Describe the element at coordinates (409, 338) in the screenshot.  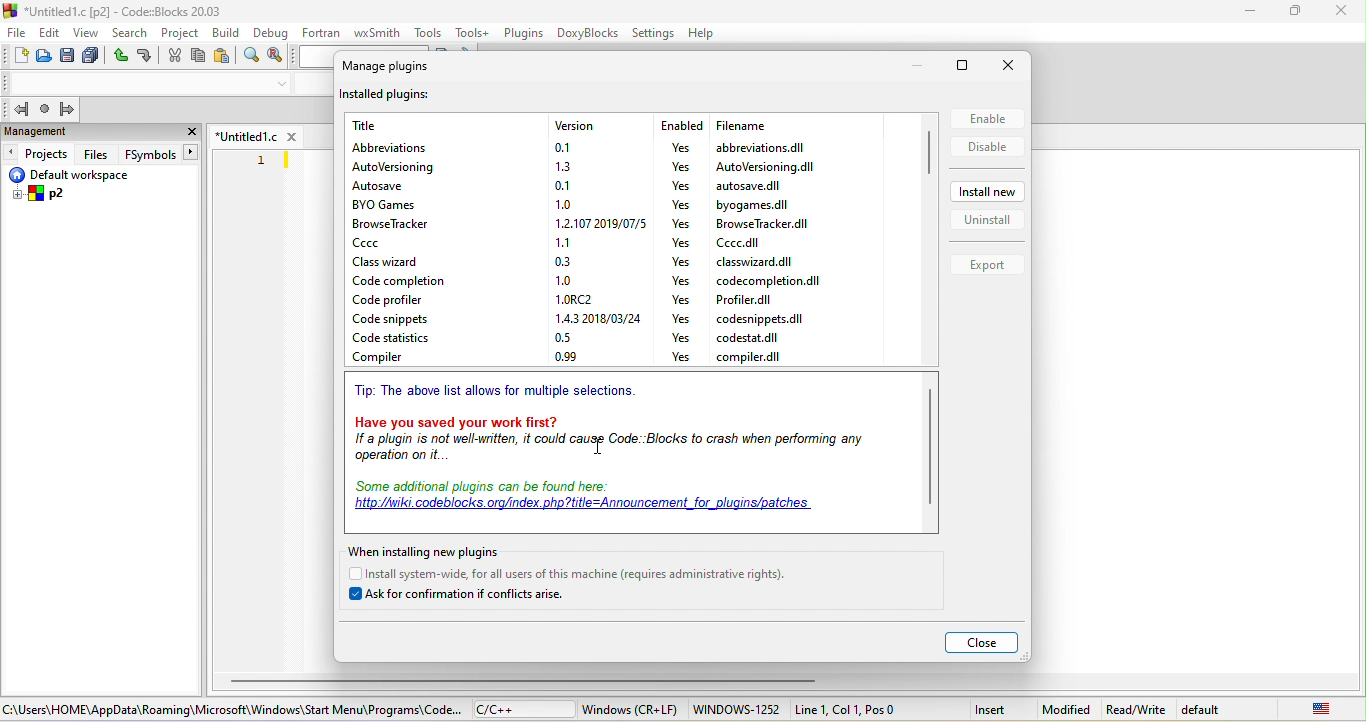
I see `code statistics` at that location.